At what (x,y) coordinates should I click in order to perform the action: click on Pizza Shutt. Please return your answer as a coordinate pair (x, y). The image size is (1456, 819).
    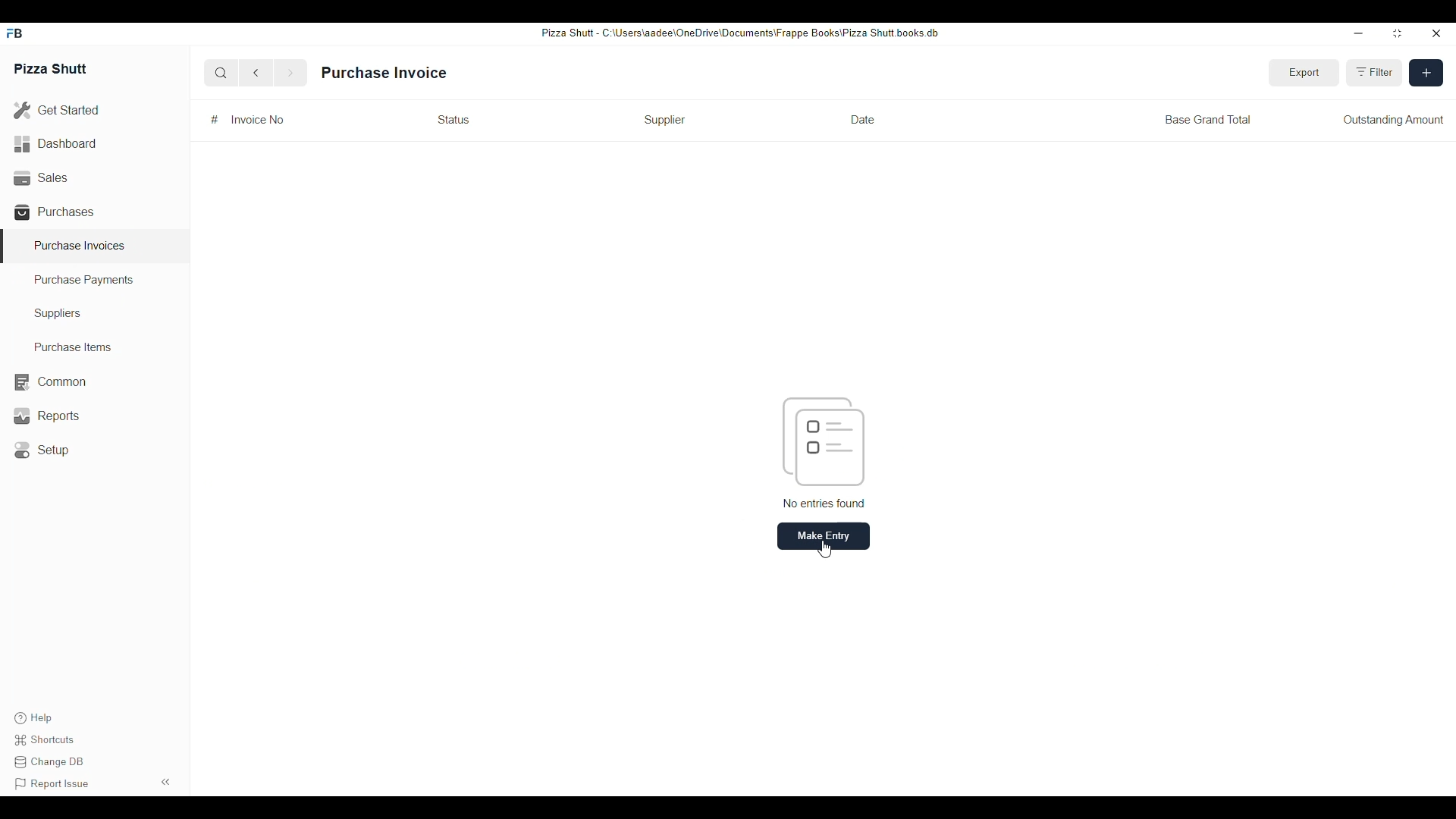
    Looking at the image, I should click on (52, 67).